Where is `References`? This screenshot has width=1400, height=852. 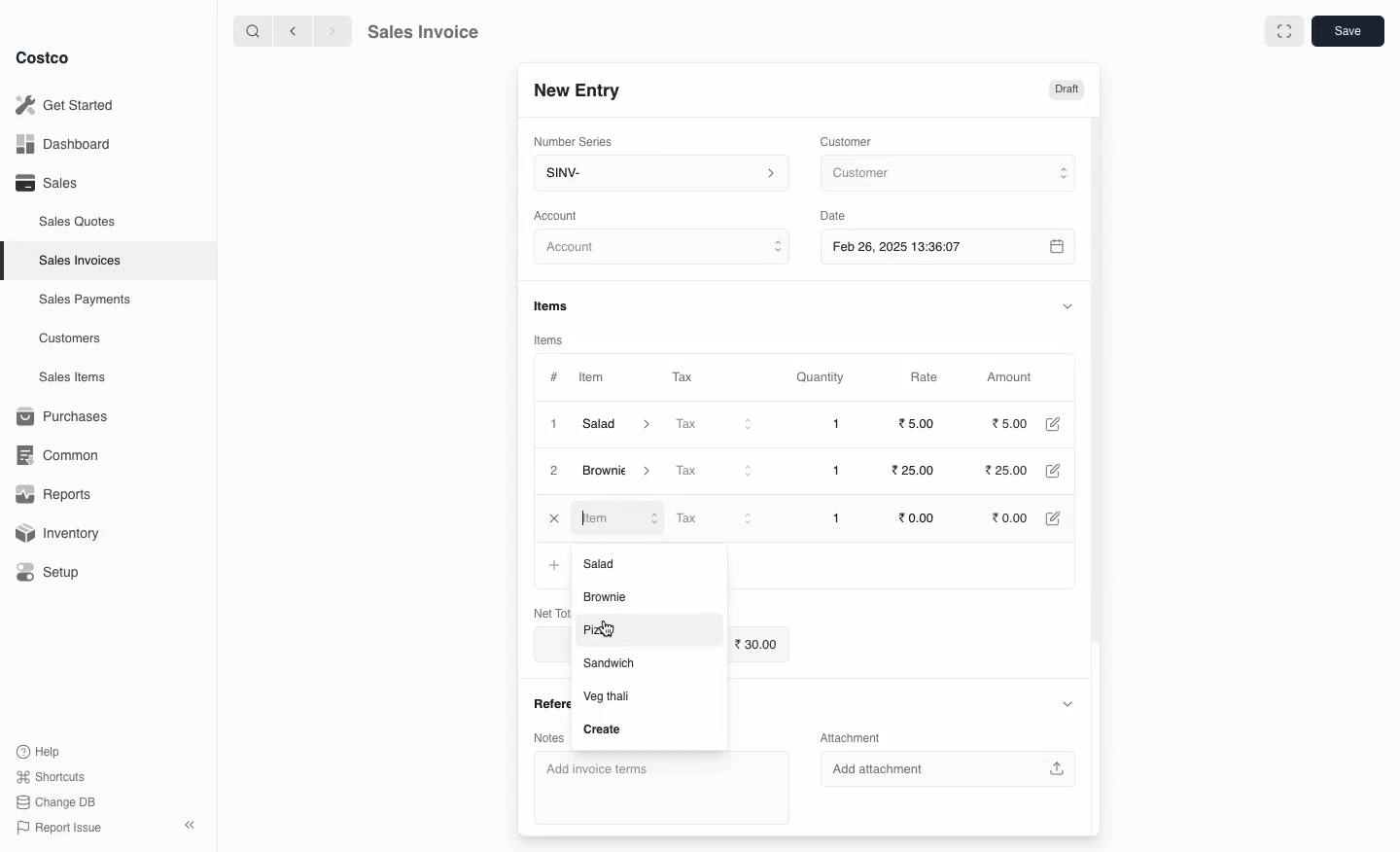 References is located at coordinates (544, 702).